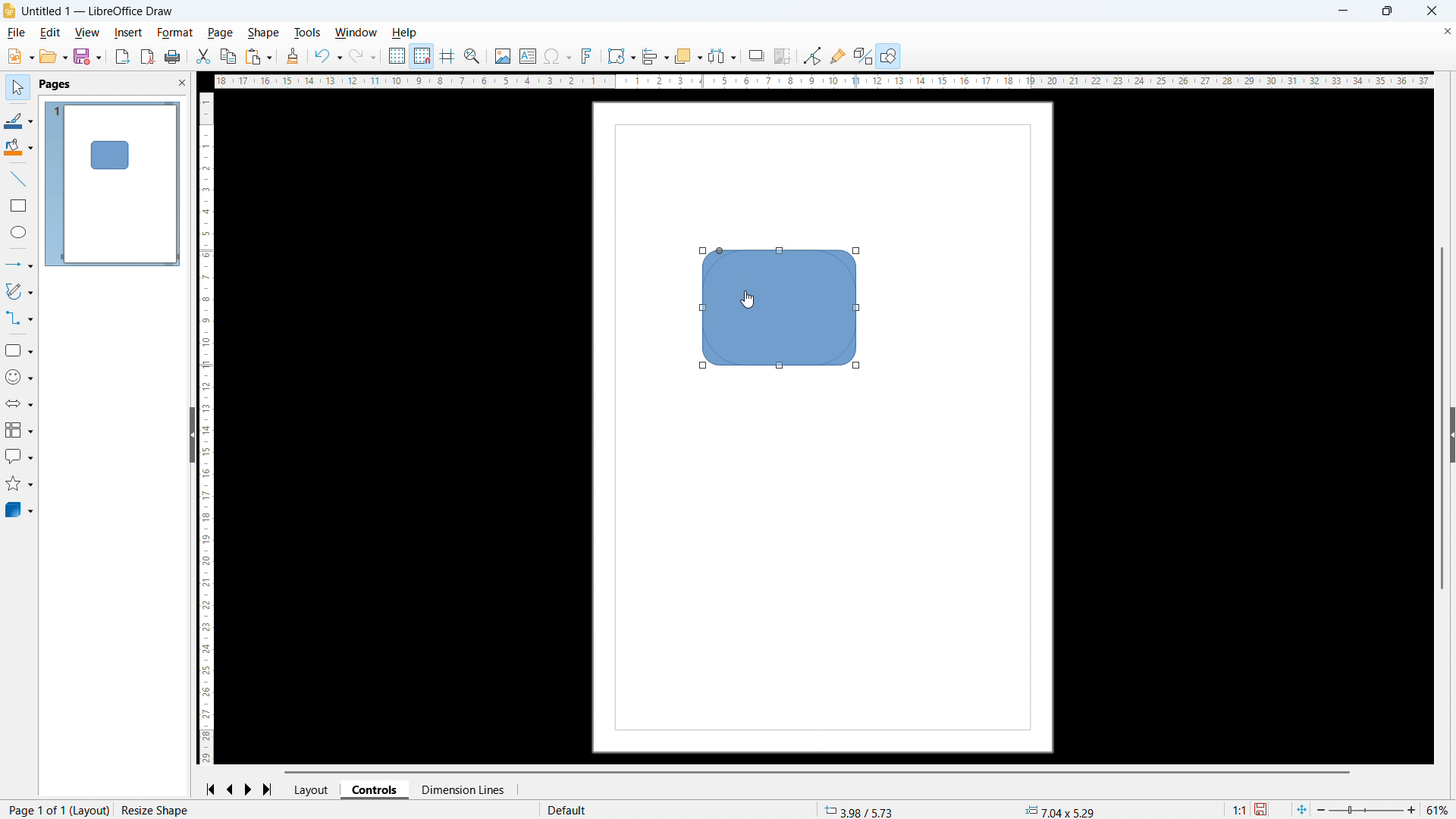 This screenshot has height=819, width=1456. I want to click on Horizontal ruler , so click(819, 81).